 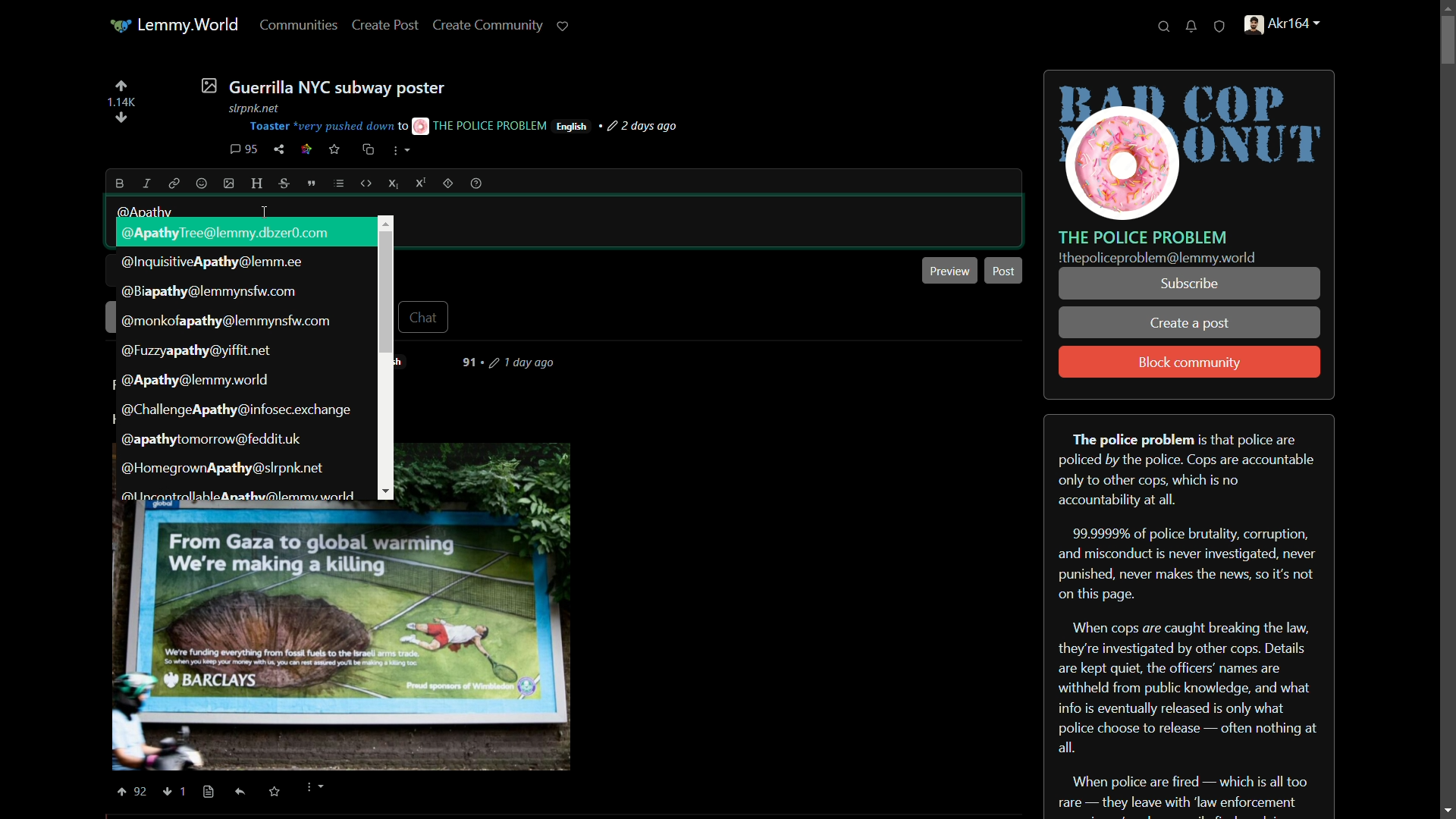 What do you see at coordinates (1004, 271) in the screenshot?
I see `post ` at bounding box center [1004, 271].